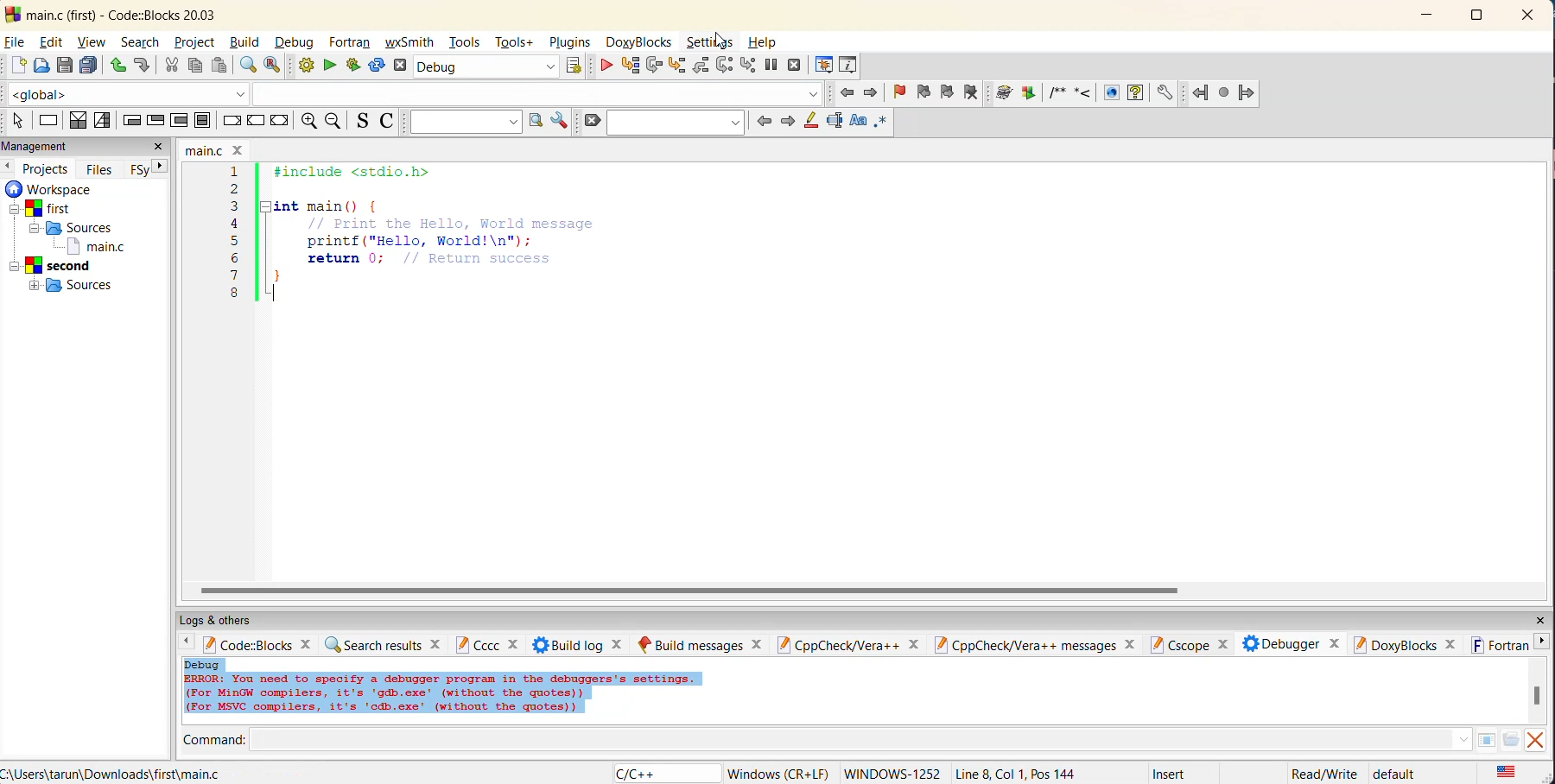  Describe the element at coordinates (974, 92) in the screenshot. I see `clear bookmarks` at that location.